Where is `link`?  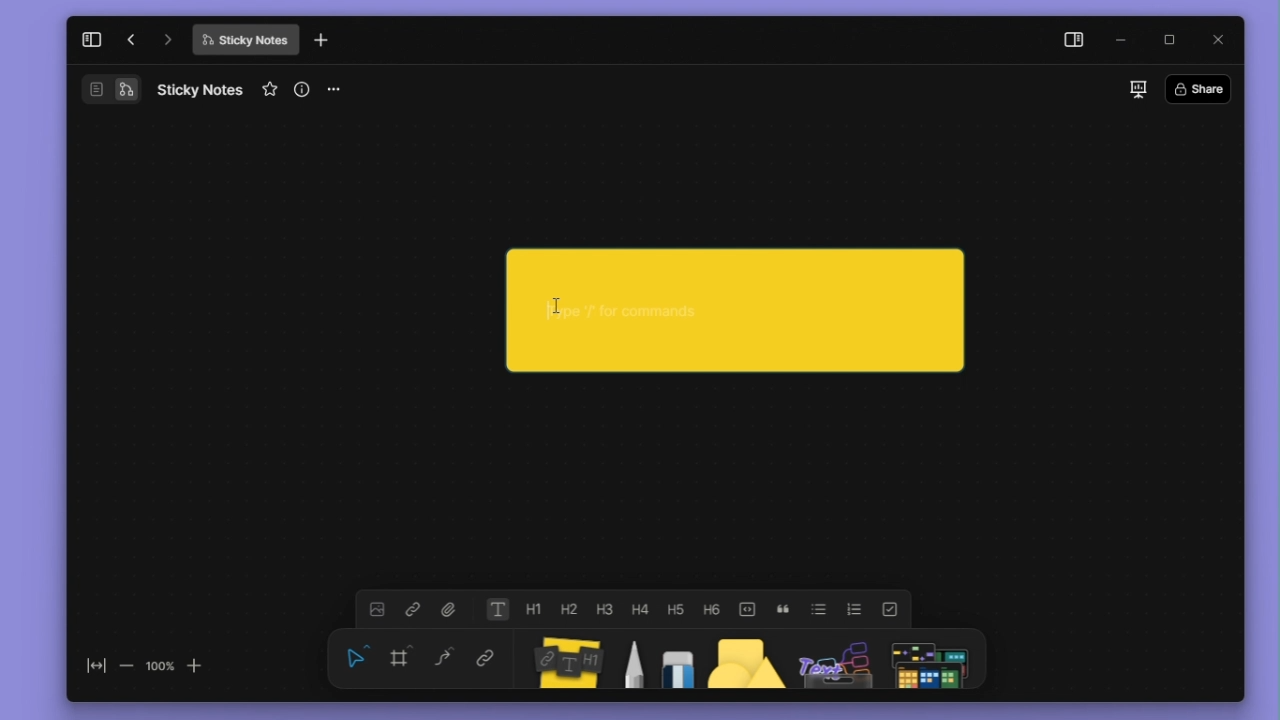
link is located at coordinates (418, 611).